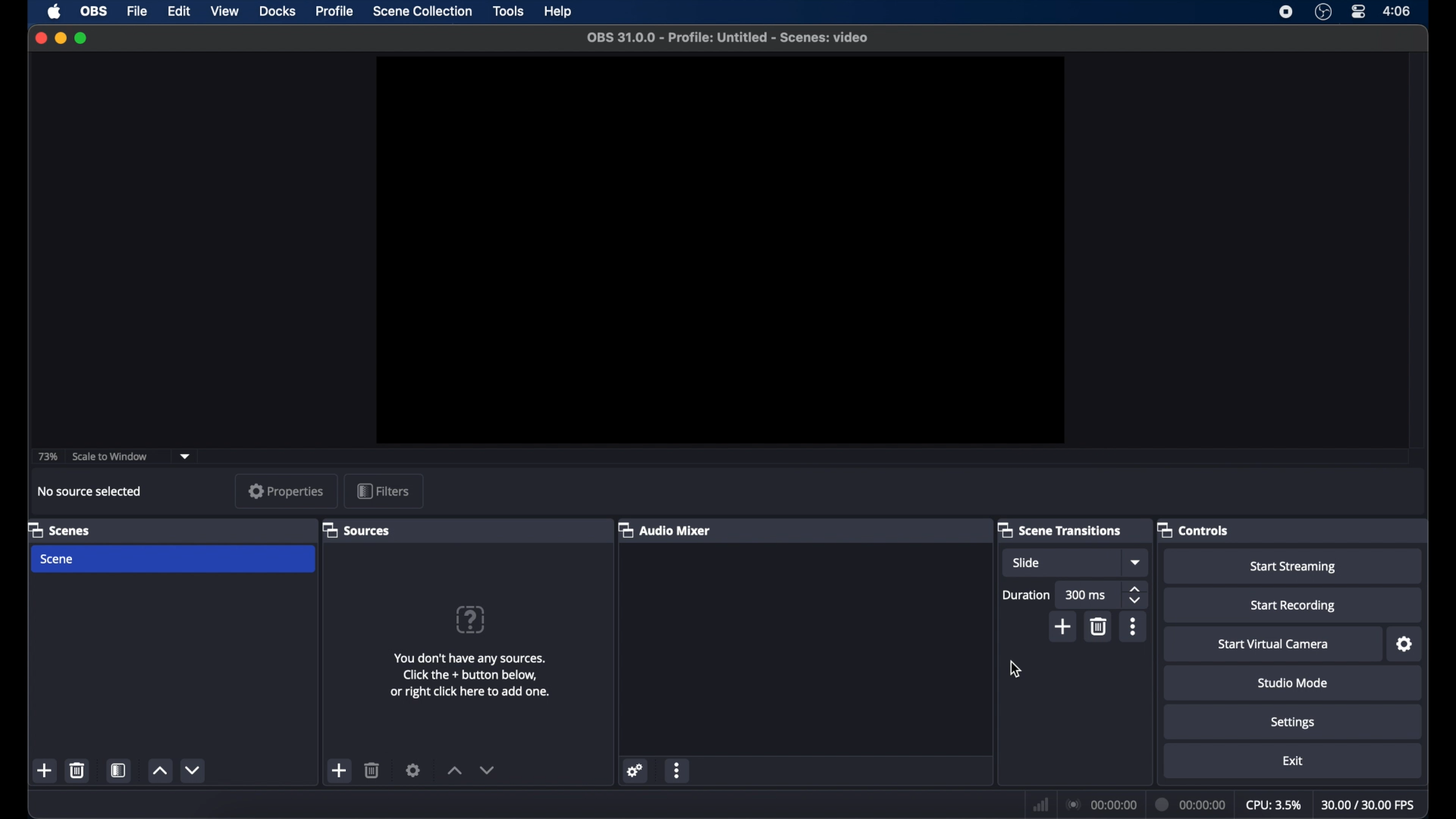 The height and width of the screenshot is (819, 1456). I want to click on info, so click(470, 677).